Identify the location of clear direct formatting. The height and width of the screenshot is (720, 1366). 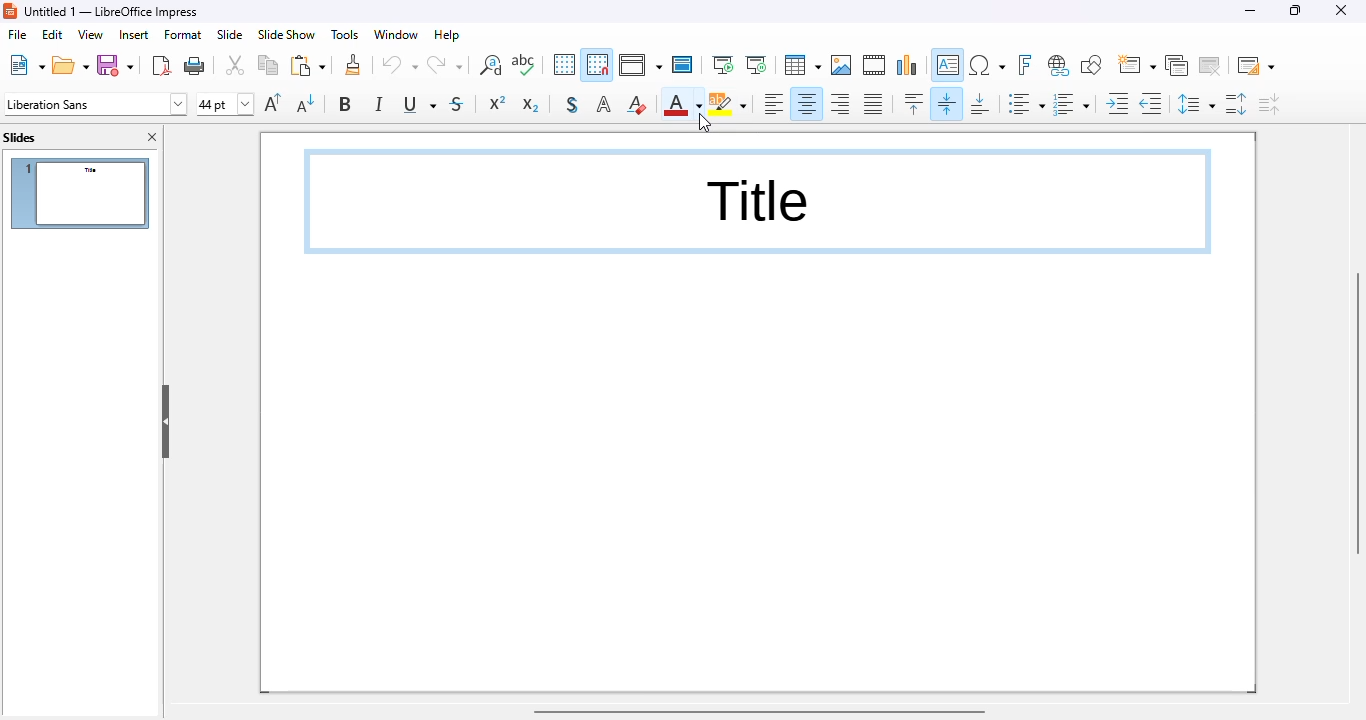
(637, 103).